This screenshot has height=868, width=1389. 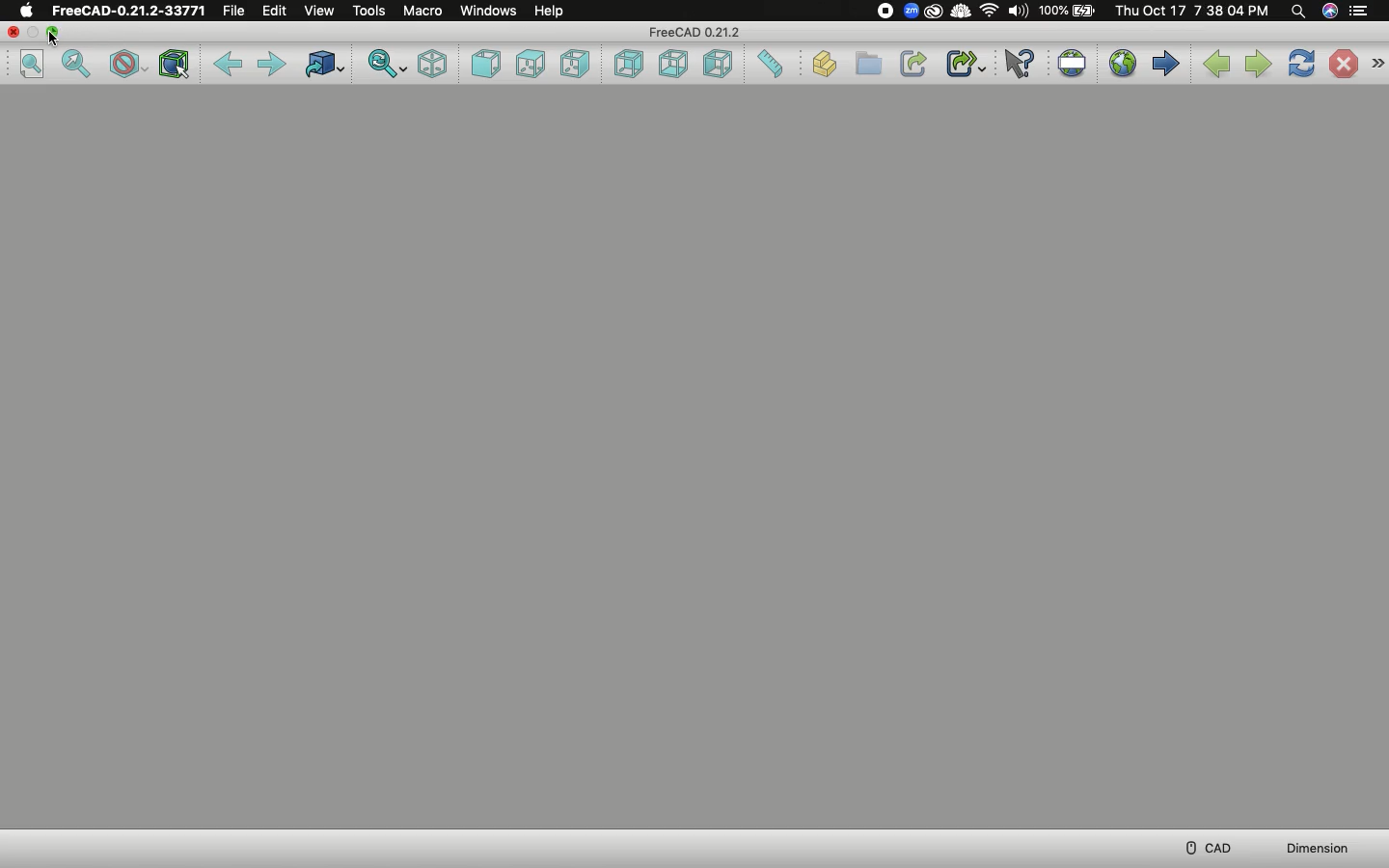 I want to click on Create part, so click(x=824, y=67).